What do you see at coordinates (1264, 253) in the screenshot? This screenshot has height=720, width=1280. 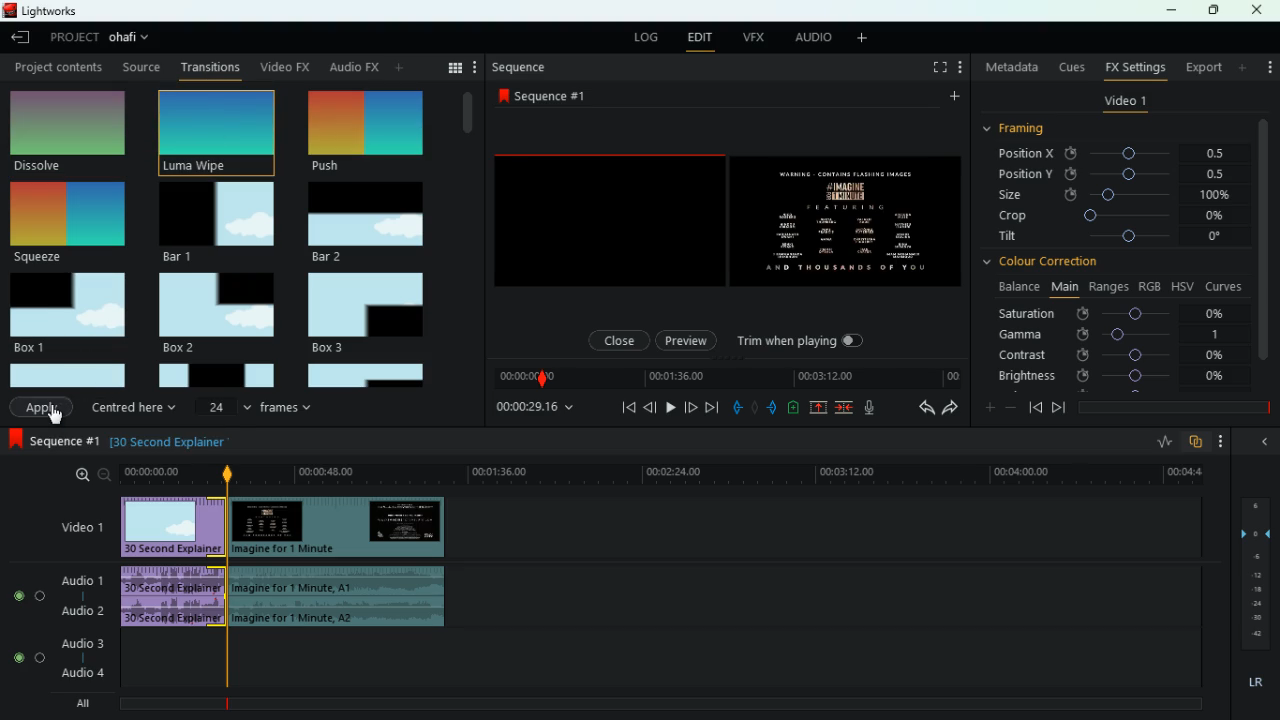 I see `vertical scroll bar` at bounding box center [1264, 253].